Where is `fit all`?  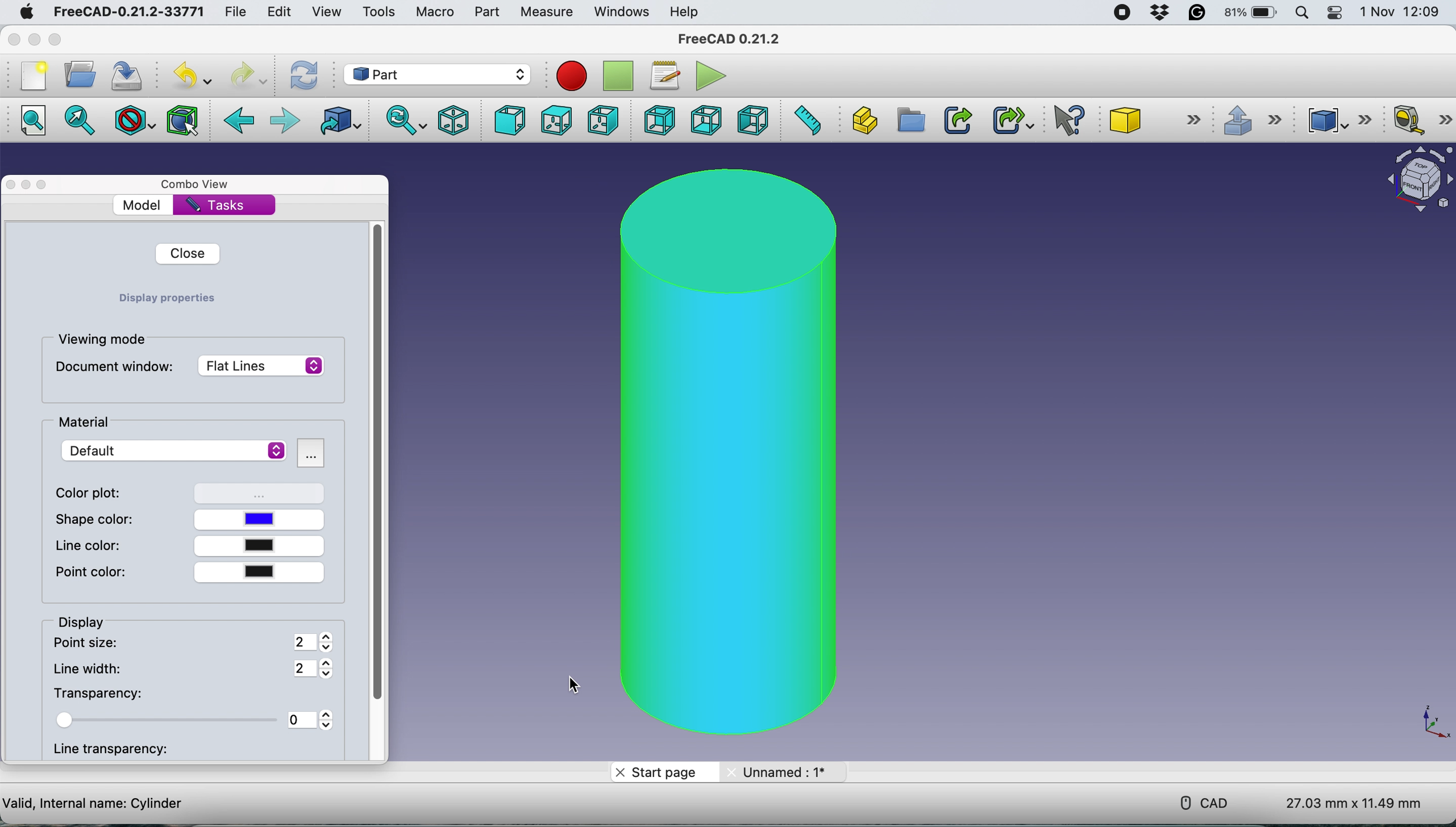 fit all is located at coordinates (30, 124).